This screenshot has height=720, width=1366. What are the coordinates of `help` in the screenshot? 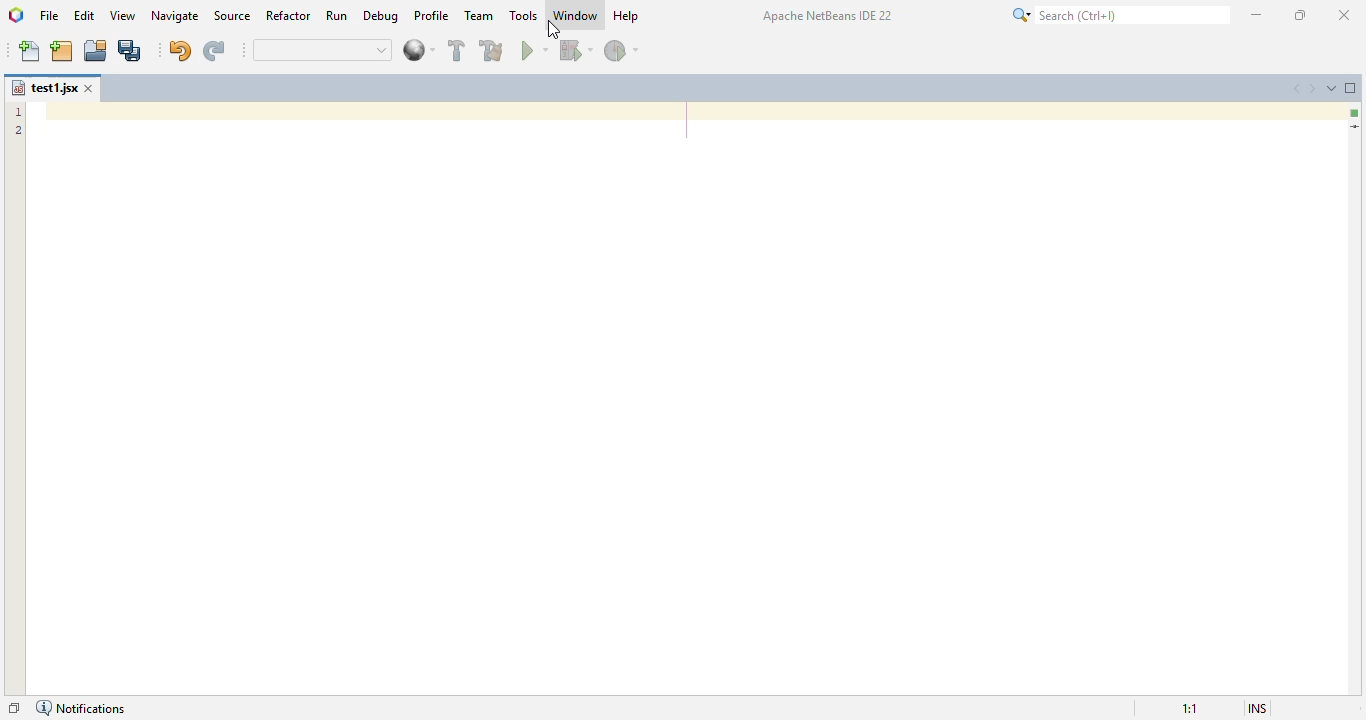 It's located at (626, 16).